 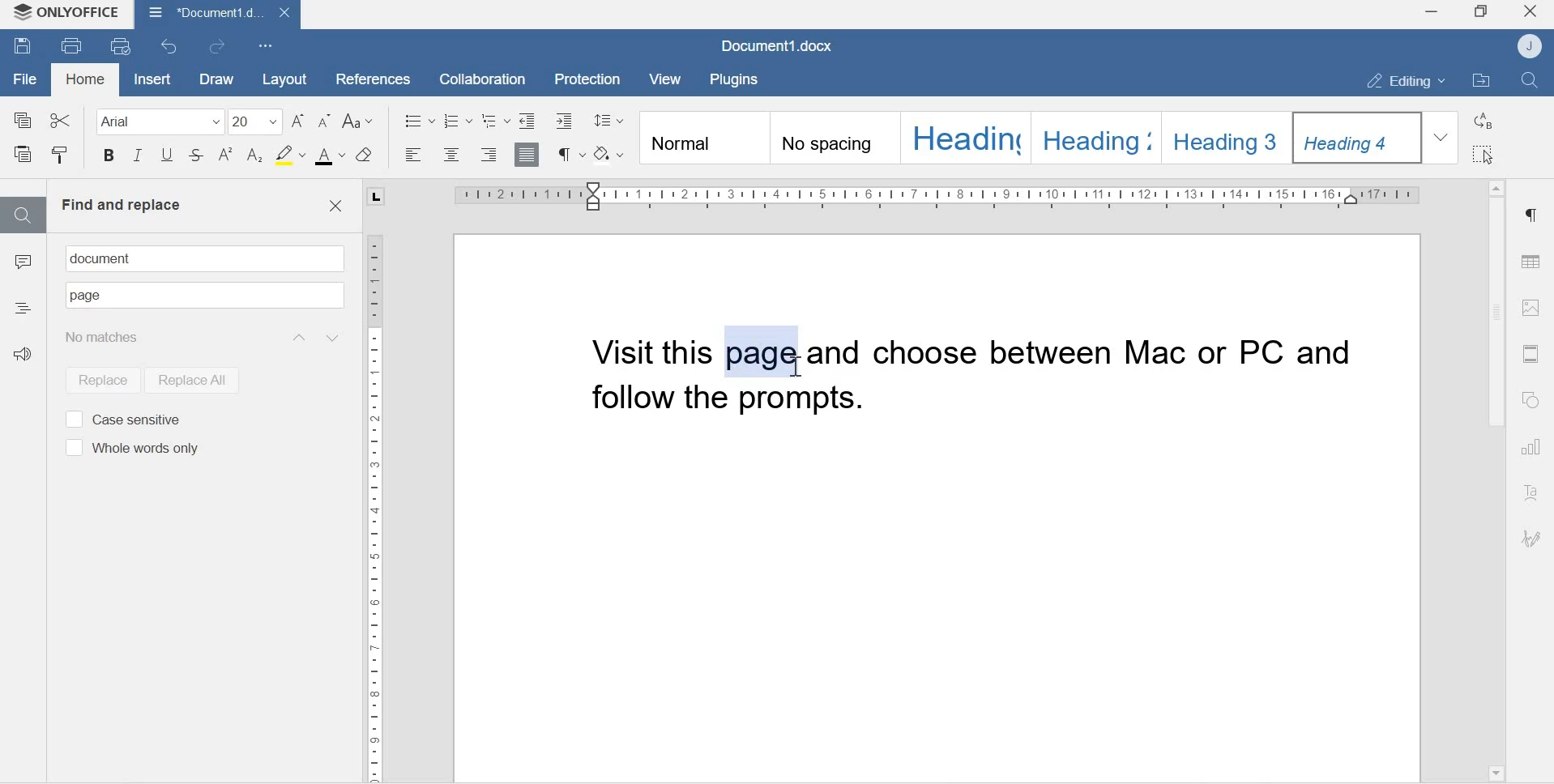 What do you see at coordinates (87, 296) in the screenshot?
I see `Text` at bounding box center [87, 296].